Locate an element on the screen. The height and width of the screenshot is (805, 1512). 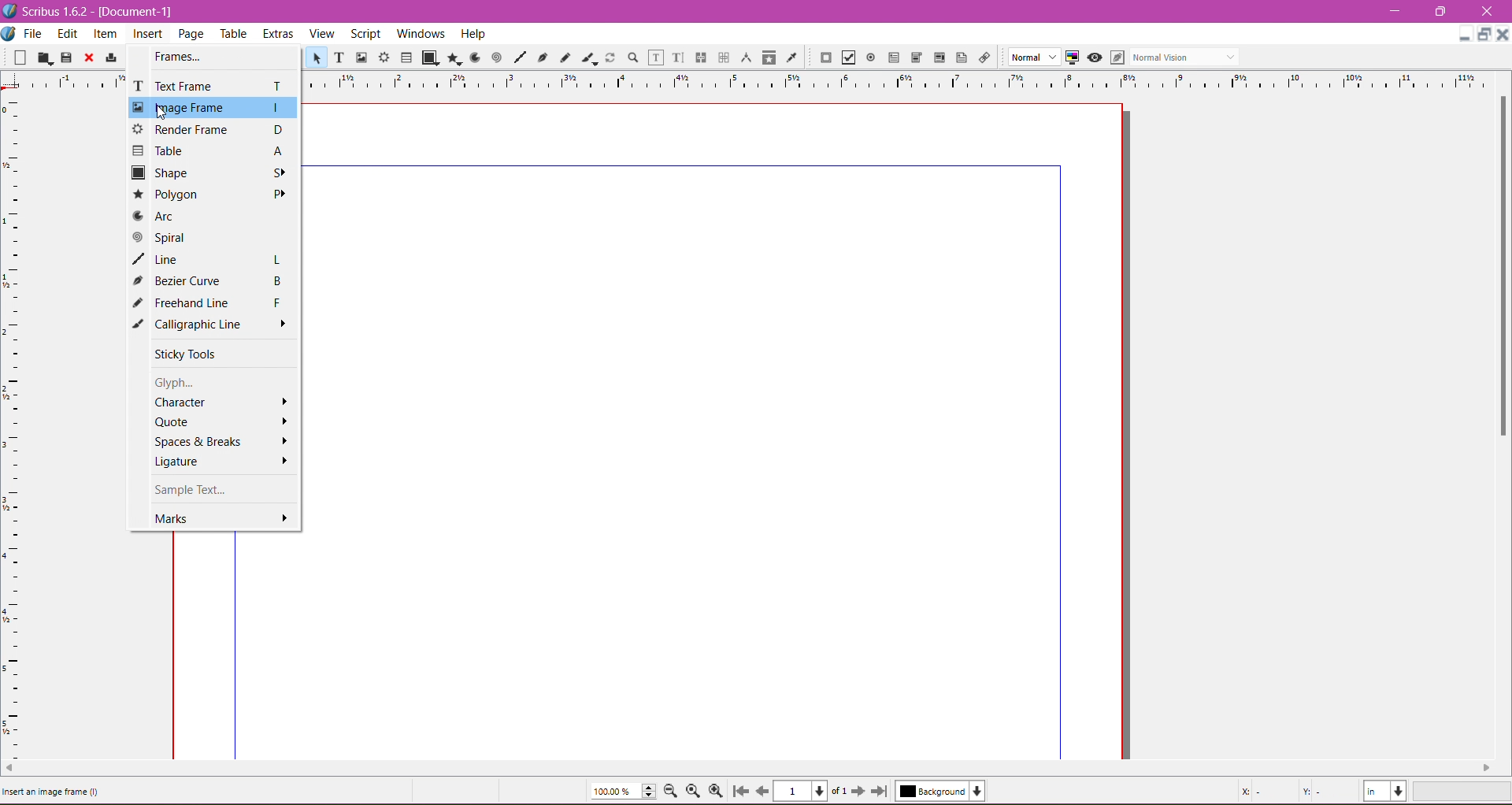
Character is located at coordinates (220, 402).